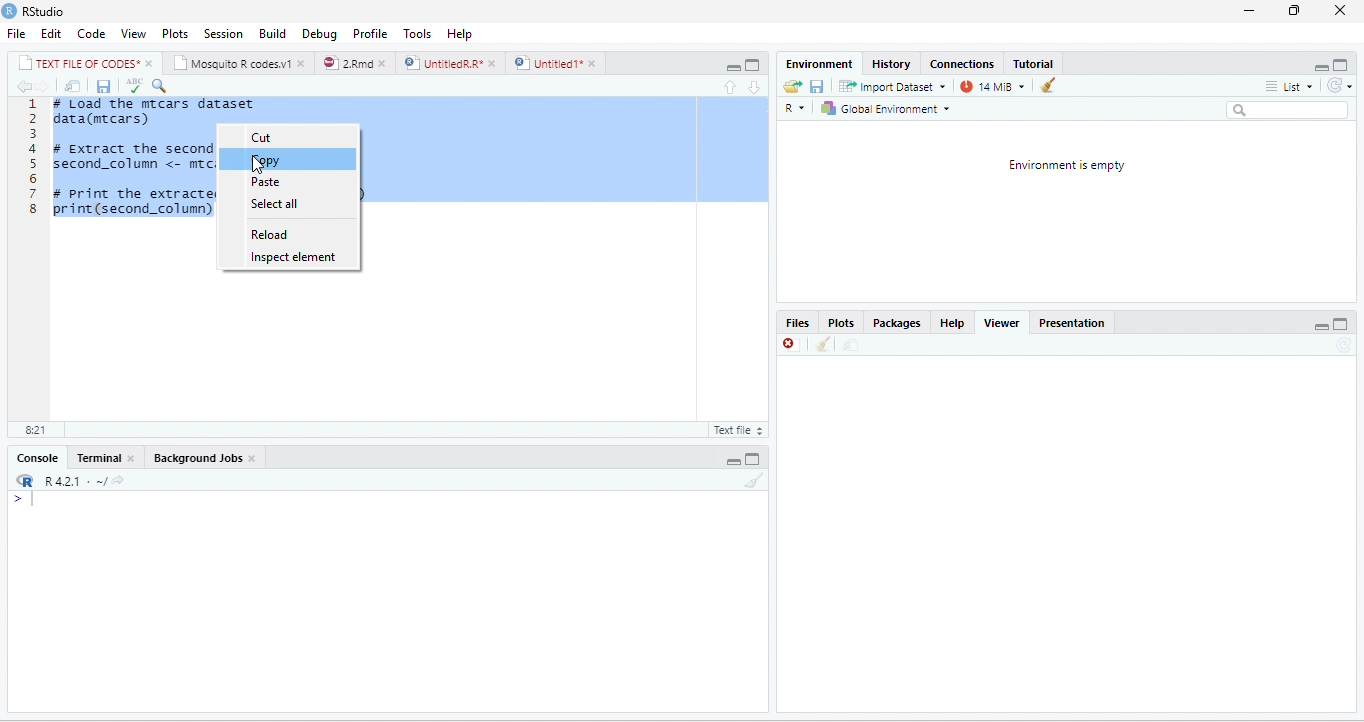 The image size is (1364, 722). I want to click on clean , so click(823, 346).